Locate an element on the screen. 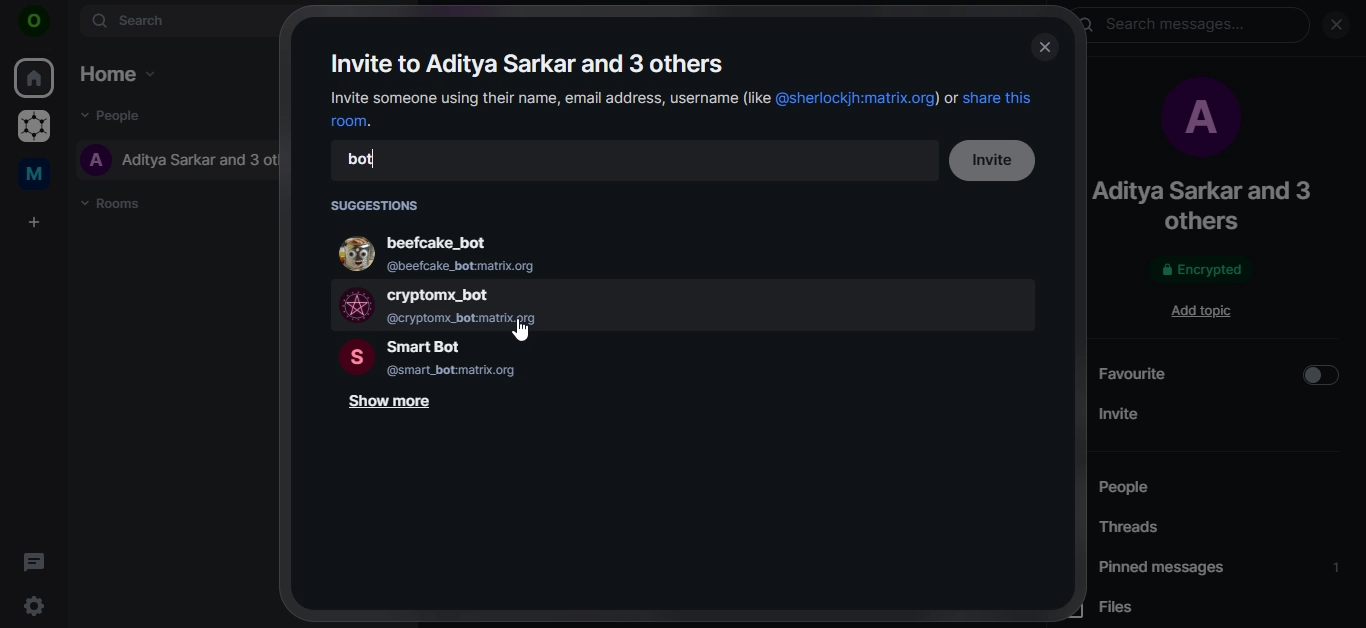  aditya sarkar and 3 others is located at coordinates (1215, 205).